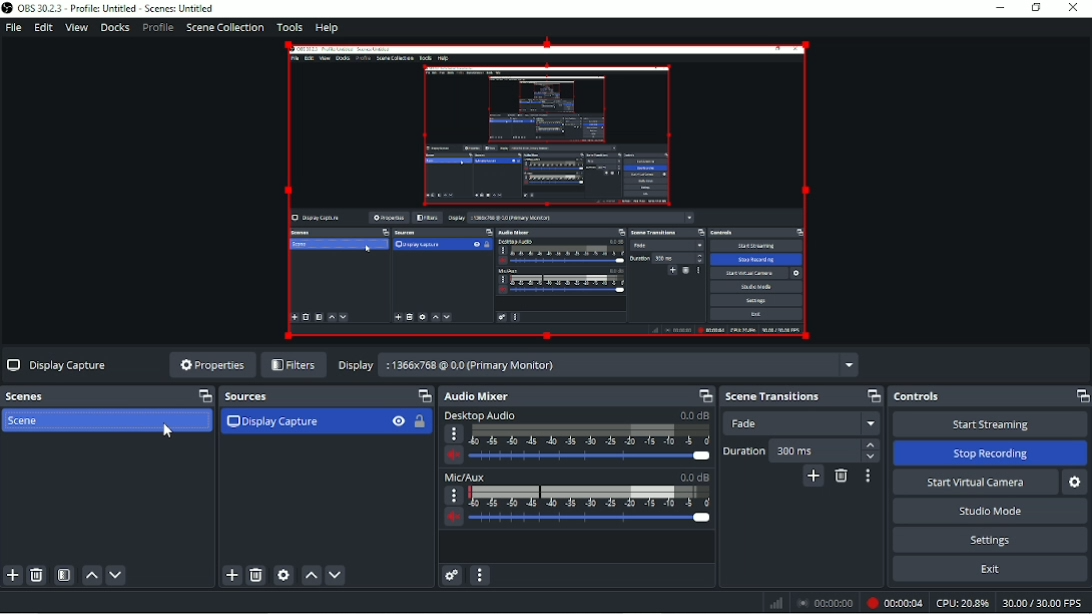  Describe the element at coordinates (702, 395) in the screenshot. I see `Maximize` at that location.